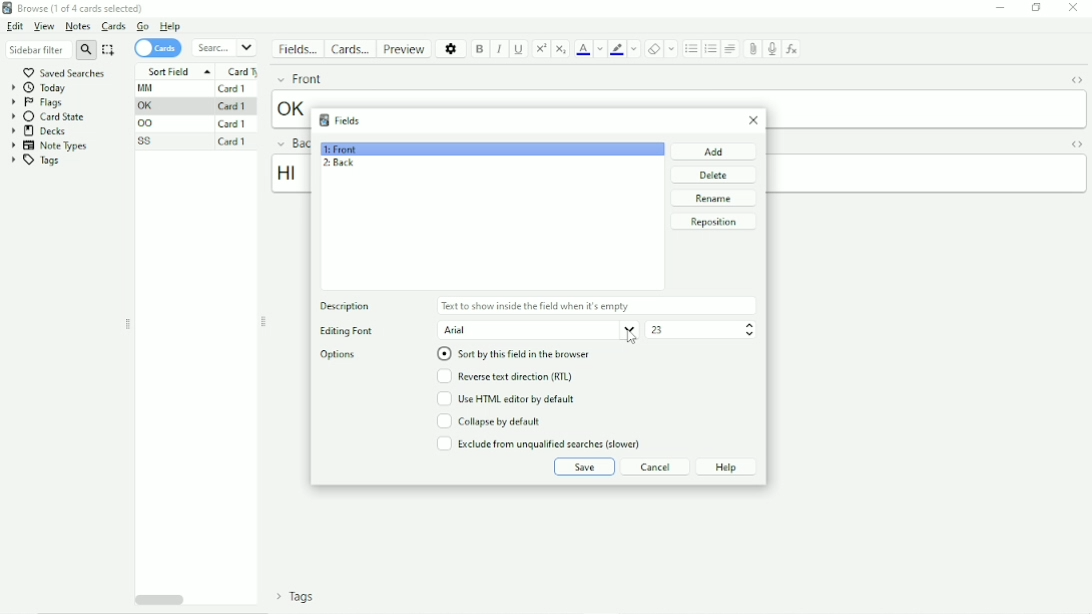 The image size is (1092, 614). Describe the element at coordinates (654, 48) in the screenshot. I see `Remove formatting` at that location.